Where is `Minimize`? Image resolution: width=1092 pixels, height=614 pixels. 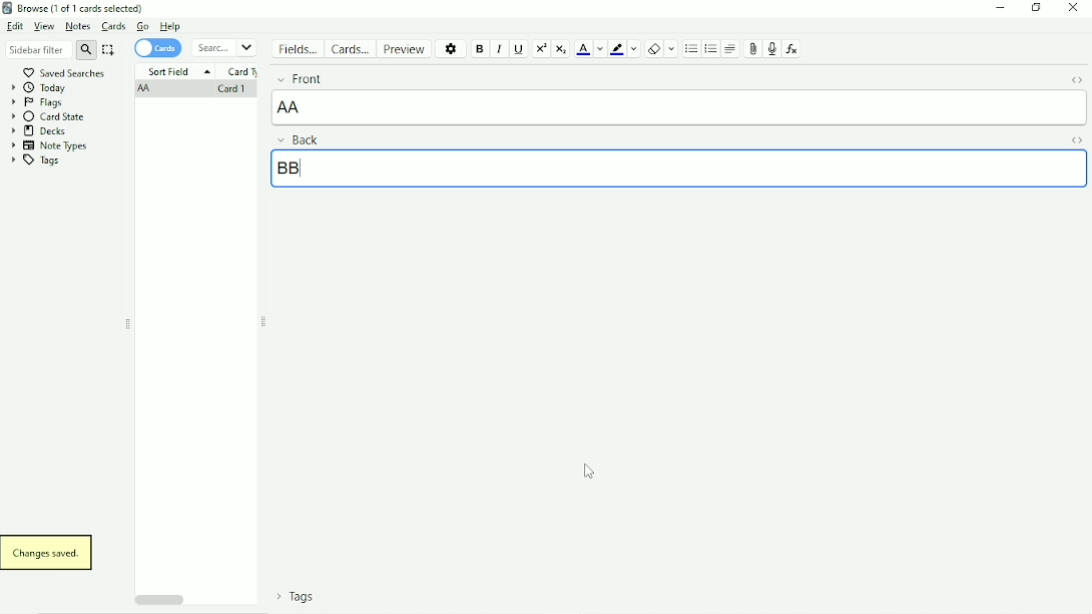
Minimize is located at coordinates (1000, 8).